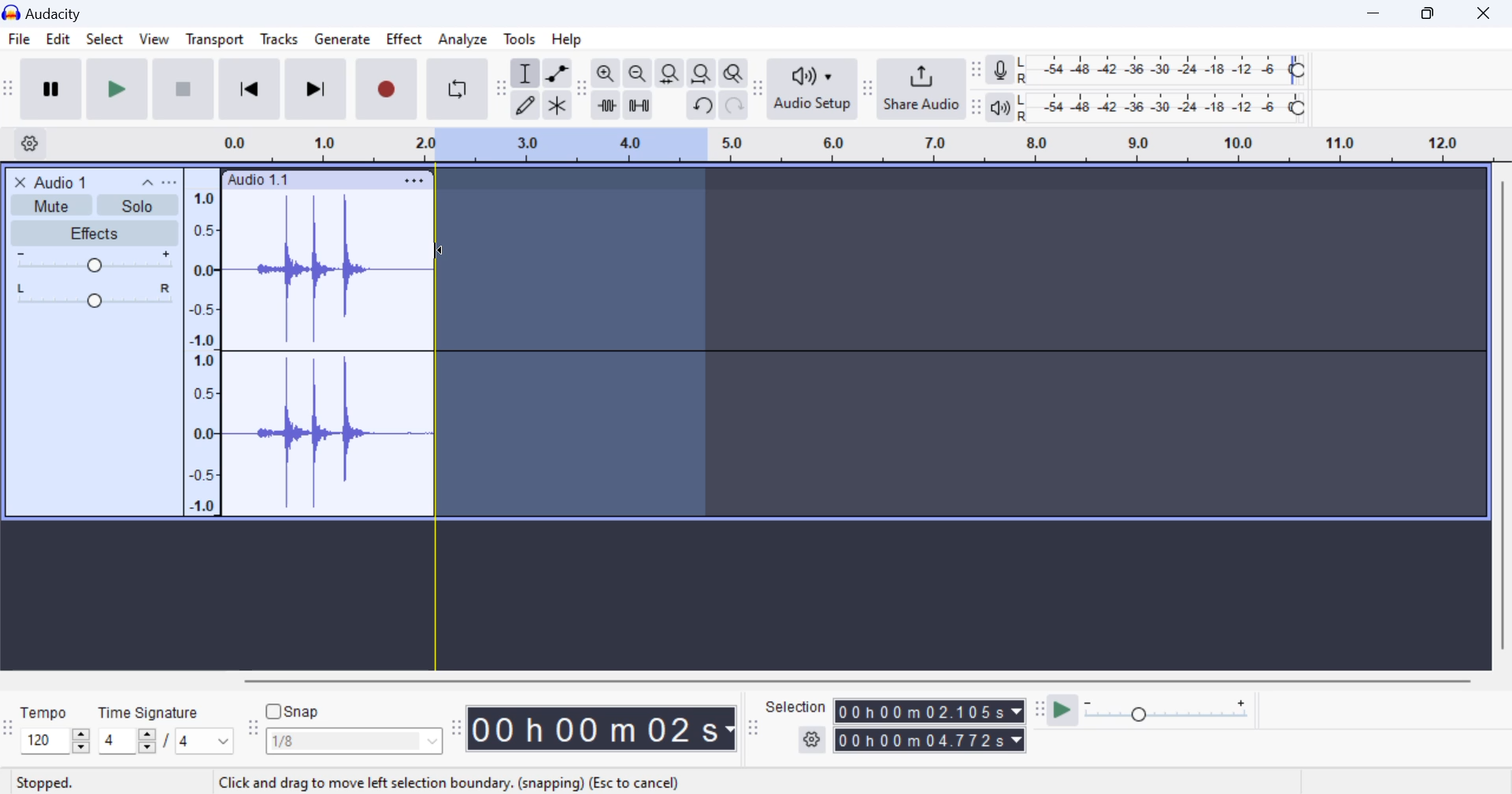 This screenshot has height=794, width=1512. What do you see at coordinates (637, 75) in the screenshot?
I see `zoom out` at bounding box center [637, 75].